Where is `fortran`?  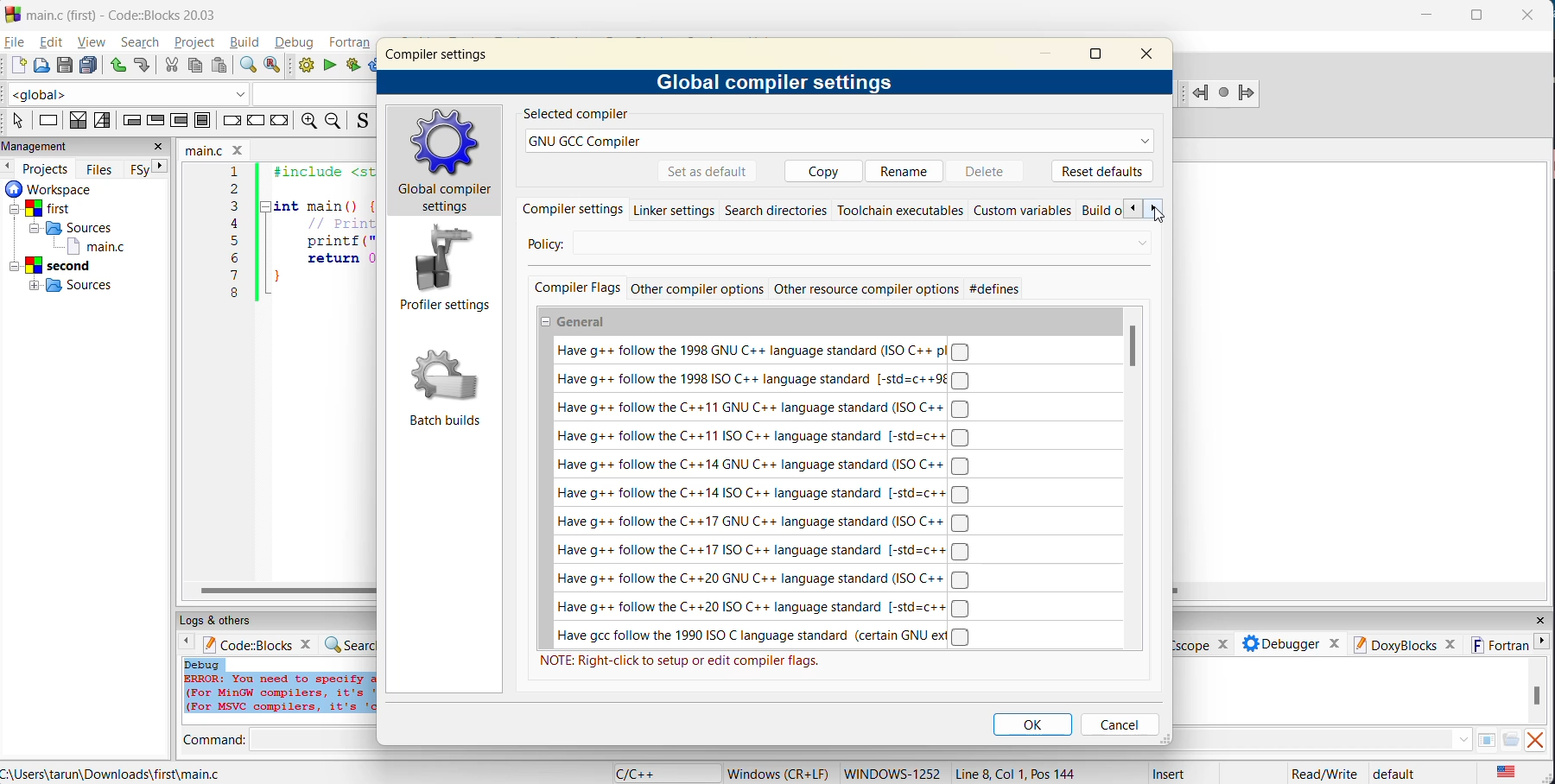 fortran is located at coordinates (352, 42).